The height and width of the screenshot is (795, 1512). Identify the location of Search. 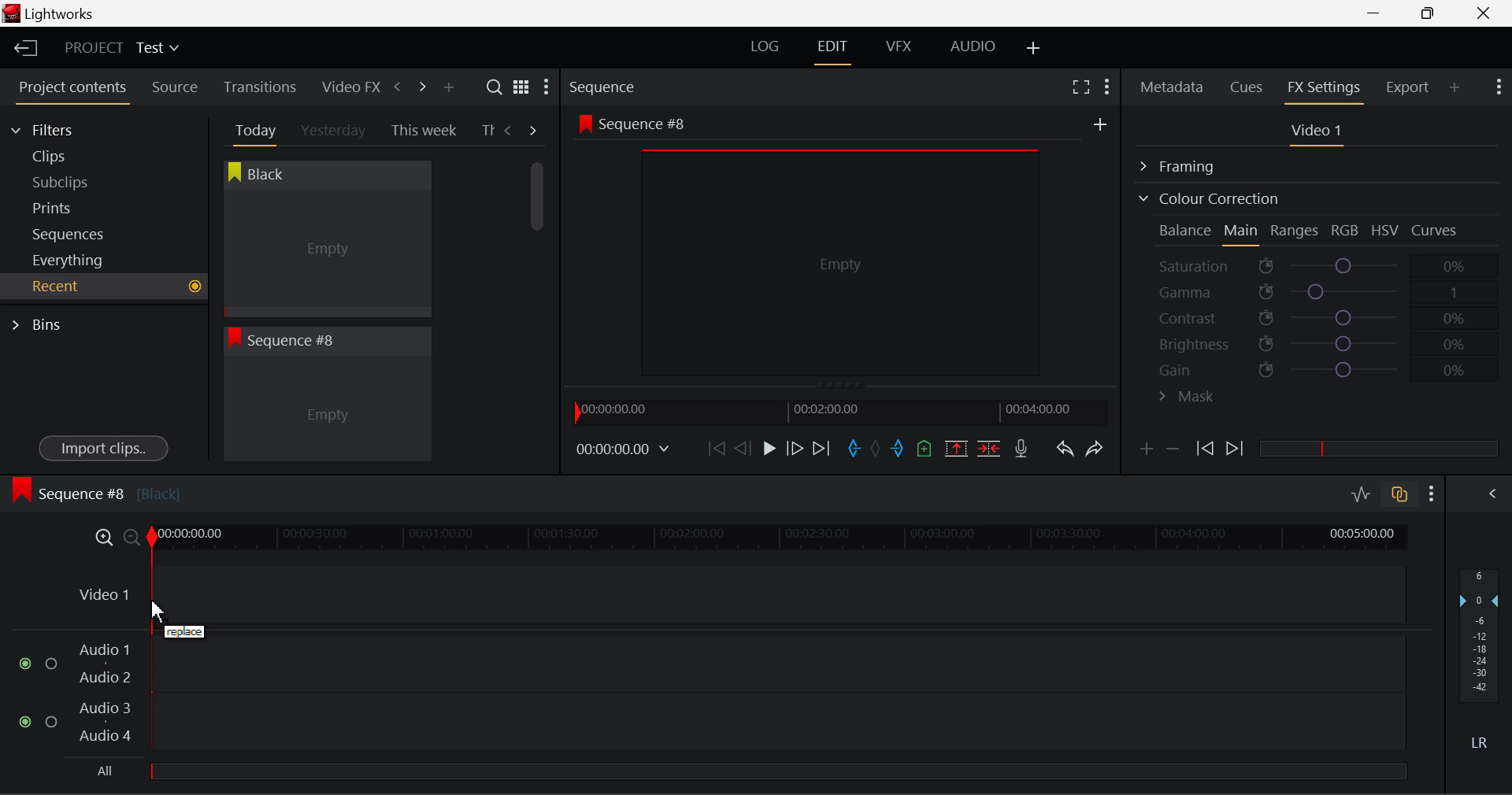
(496, 87).